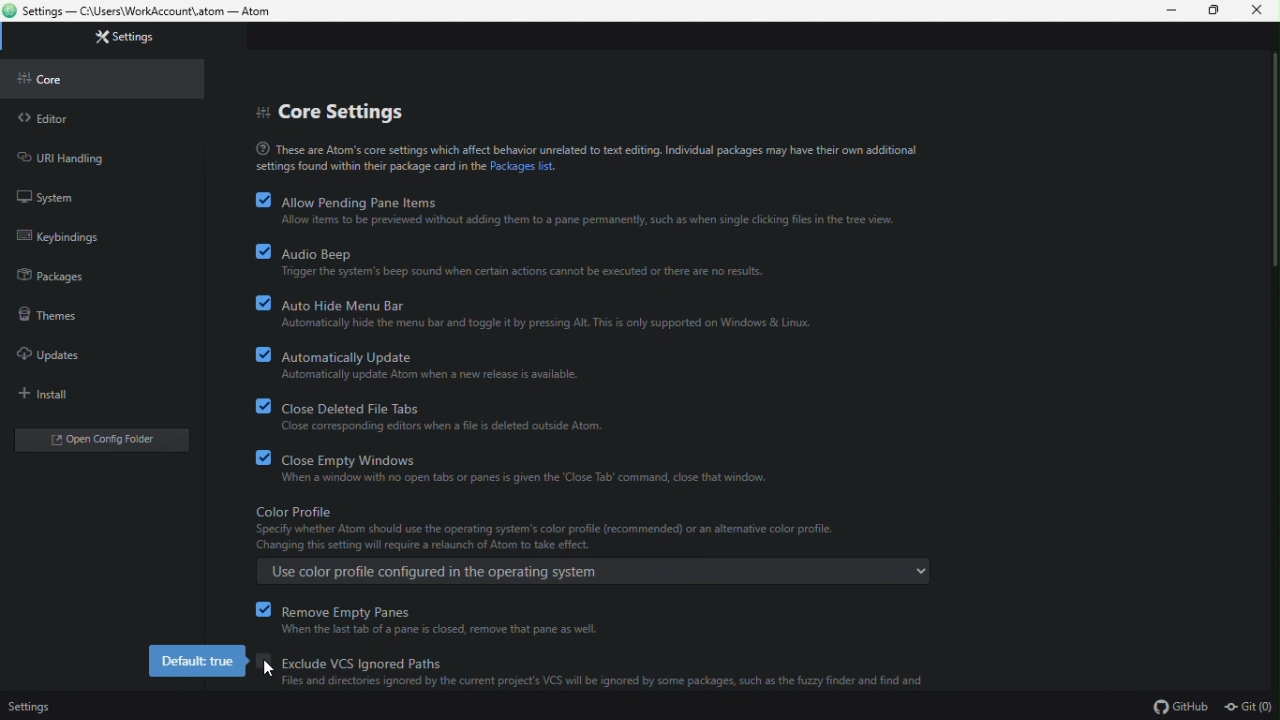  What do you see at coordinates (253, 252) in the screenshot?
I see `checkbox` at bounding box center [253, 252].